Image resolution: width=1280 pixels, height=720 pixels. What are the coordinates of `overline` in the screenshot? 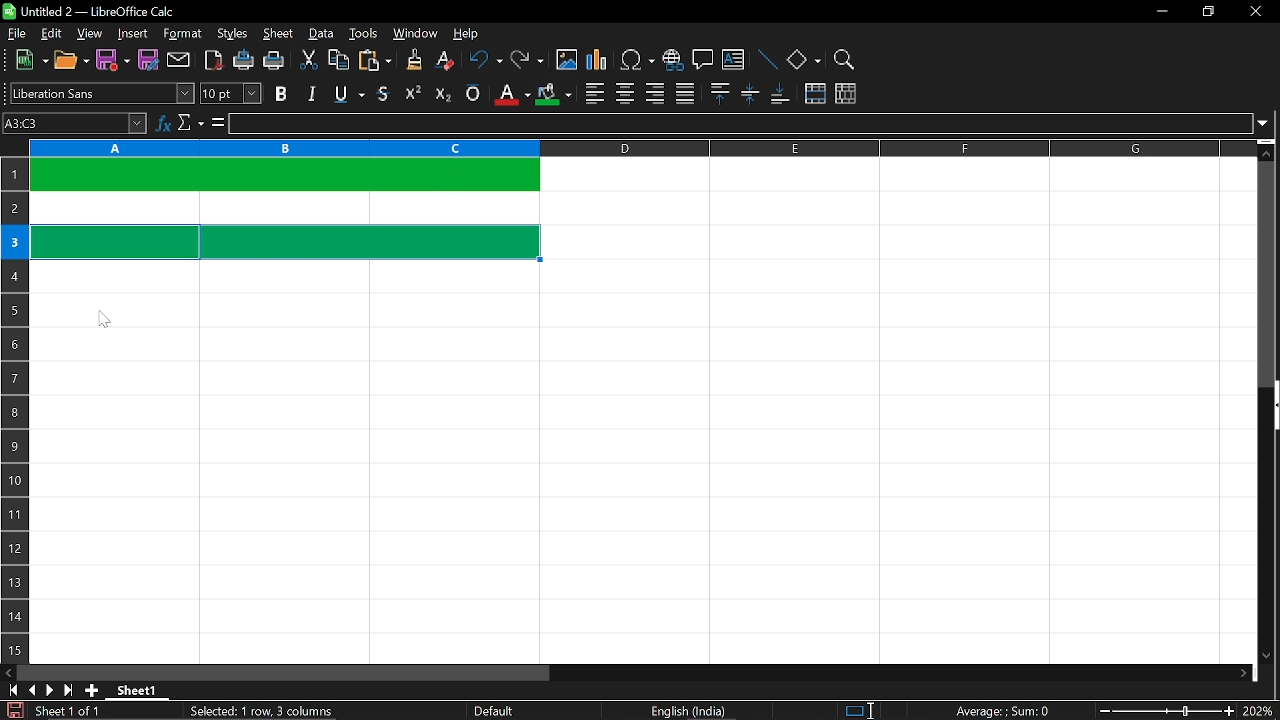 It's located at (473, 94).